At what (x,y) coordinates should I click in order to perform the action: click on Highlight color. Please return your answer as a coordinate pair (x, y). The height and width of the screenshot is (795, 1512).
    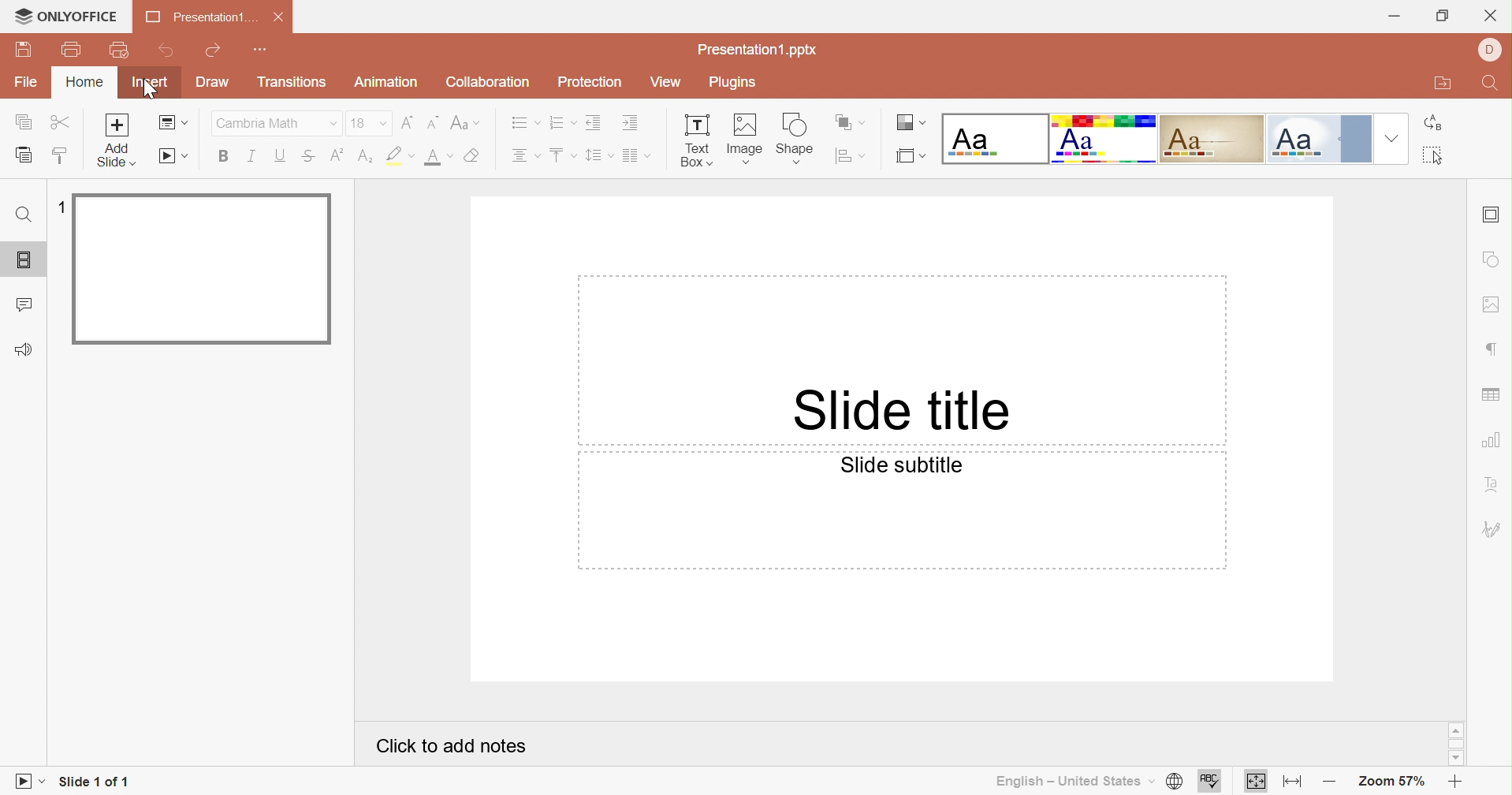
    Looking at the image, I should click on (401, 157).